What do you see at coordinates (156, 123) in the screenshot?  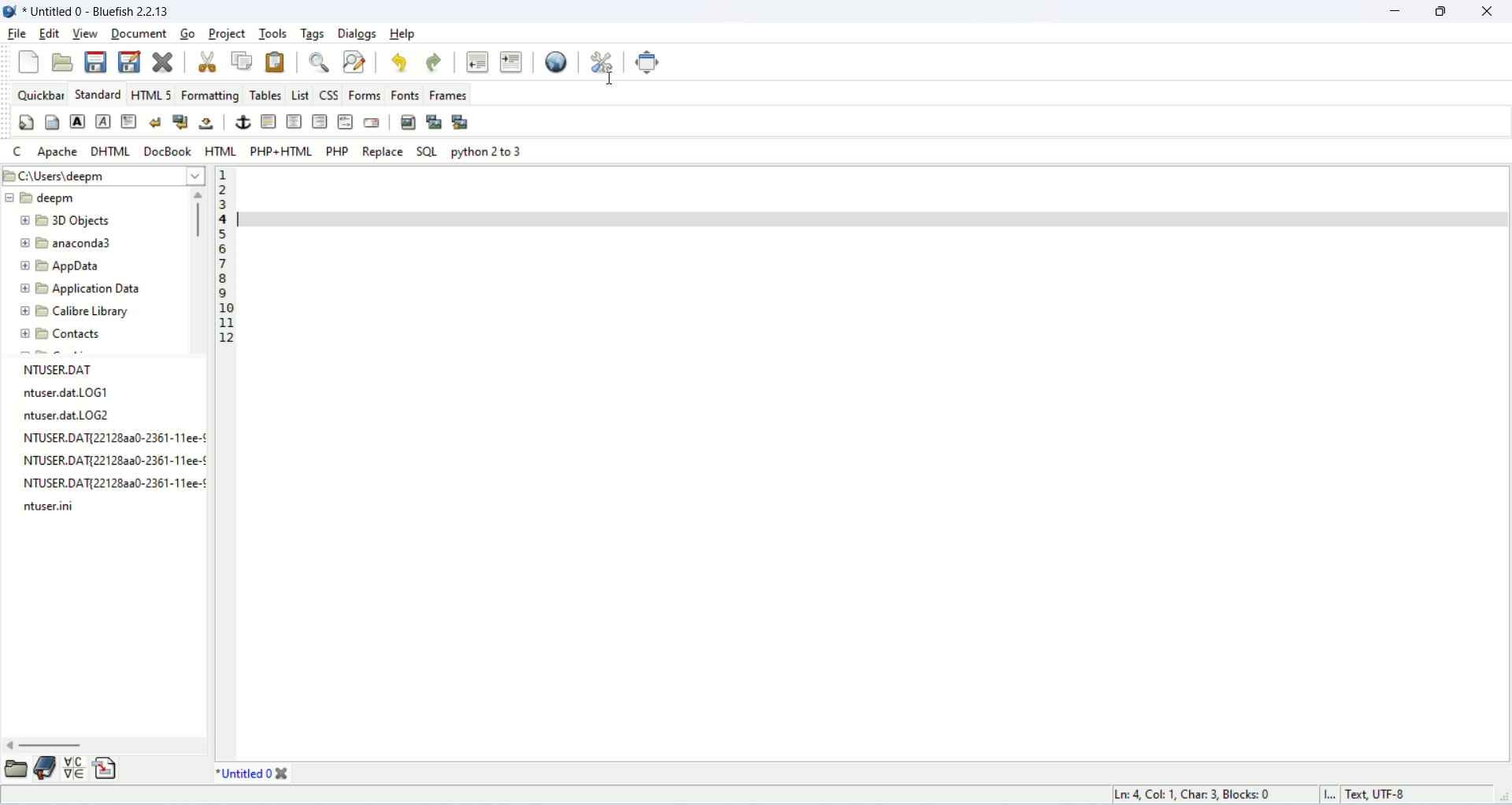 I see `break` at bounding box center [156, 123].